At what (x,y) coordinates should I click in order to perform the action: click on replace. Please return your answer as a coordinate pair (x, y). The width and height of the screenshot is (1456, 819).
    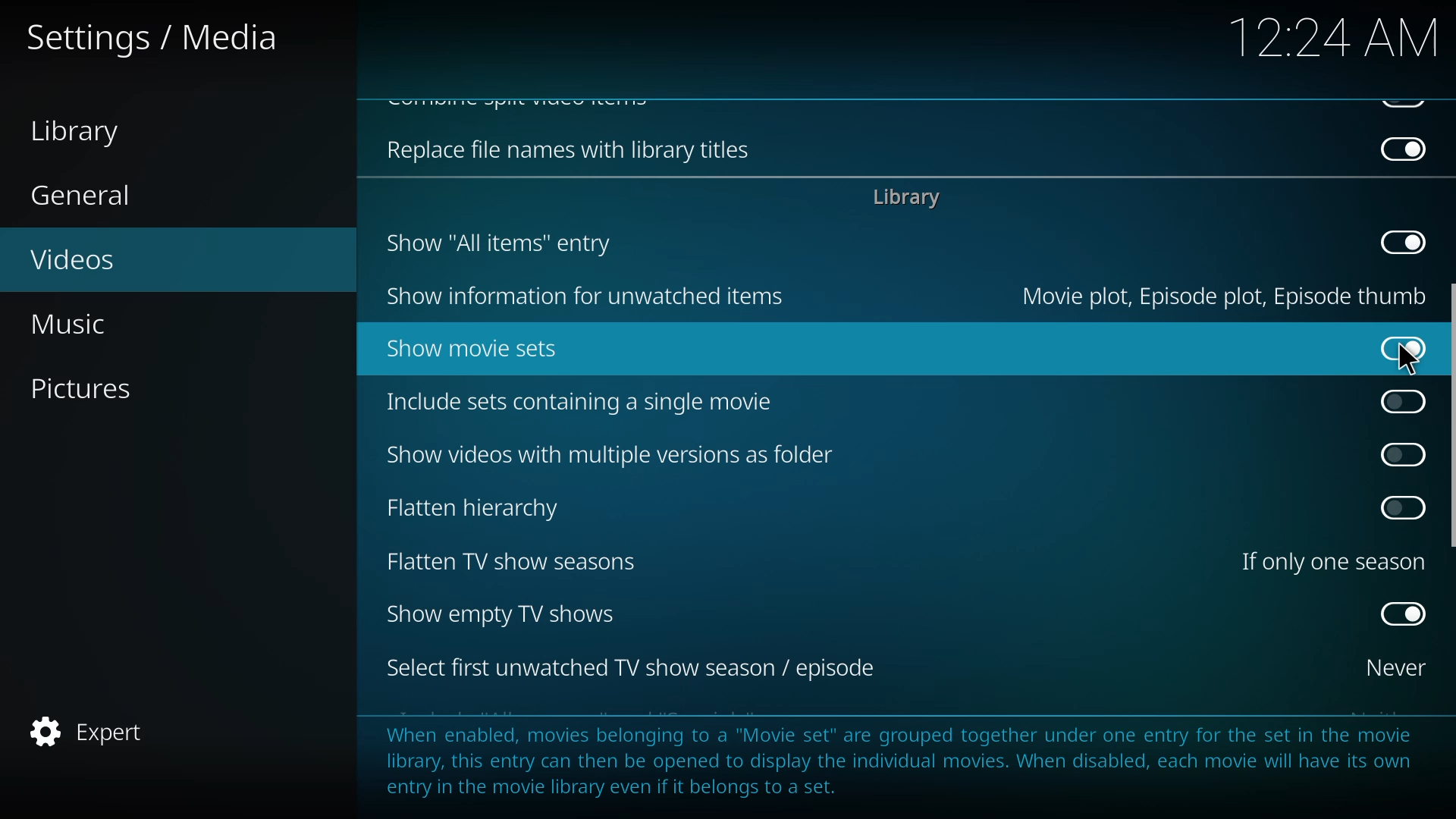
    Looking at the image, I should click on (560, 152).